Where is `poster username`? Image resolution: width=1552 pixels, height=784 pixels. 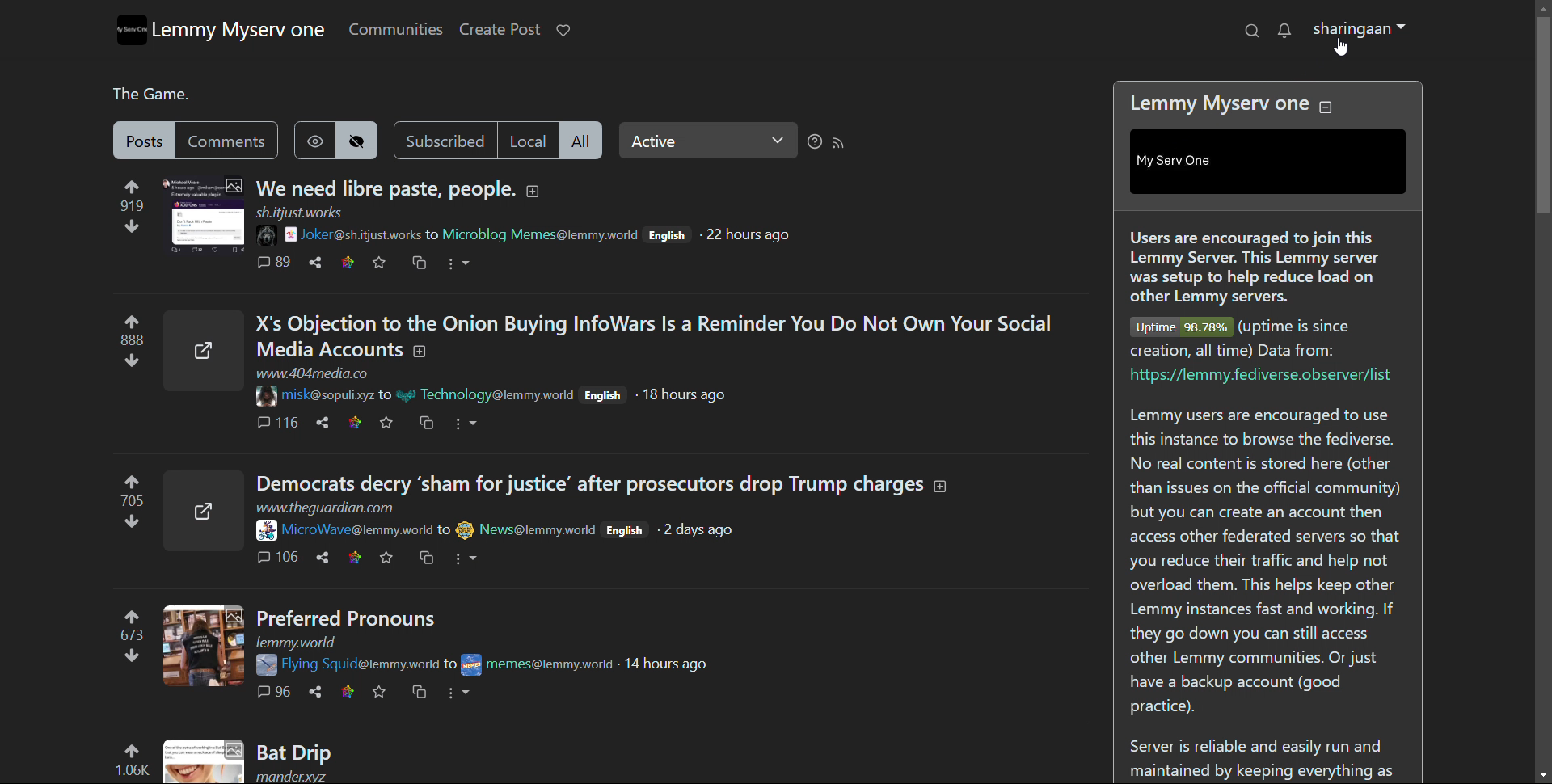 poster username is located at coordinates (357, 664).